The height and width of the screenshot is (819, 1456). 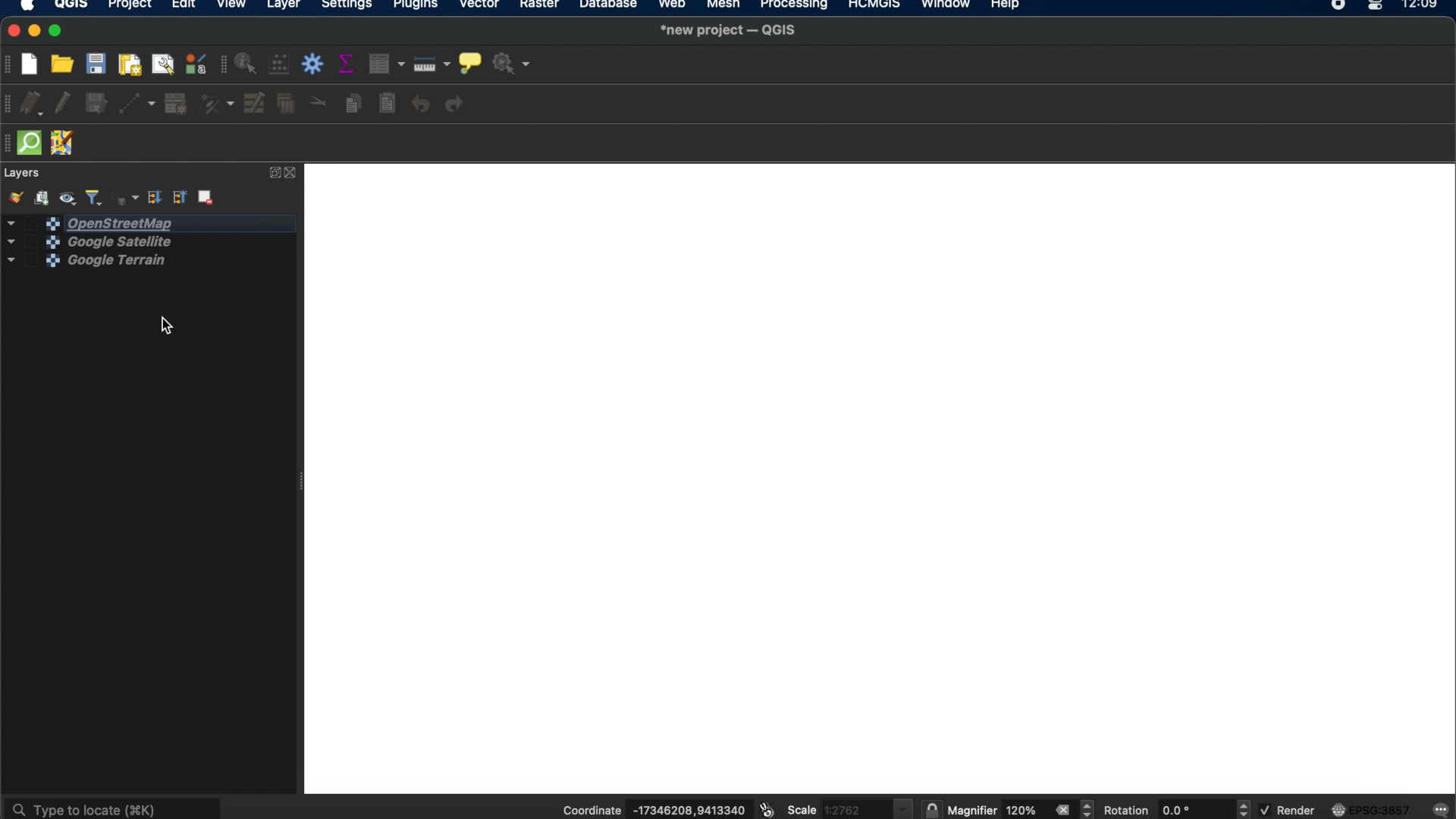 I want to click on openstreetmap, so click(x=92, y=223).